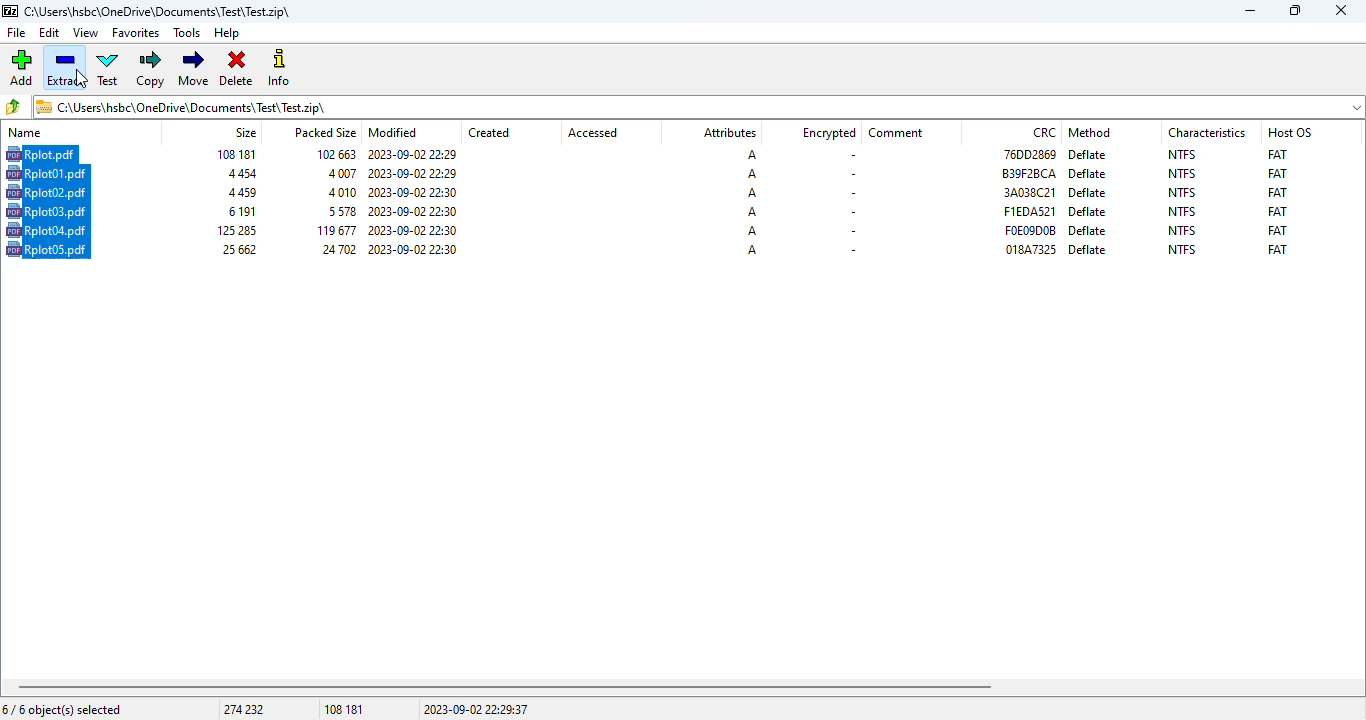  Describe the element at coordinates (18, 33) in the screenshot. I see `file` at that location.